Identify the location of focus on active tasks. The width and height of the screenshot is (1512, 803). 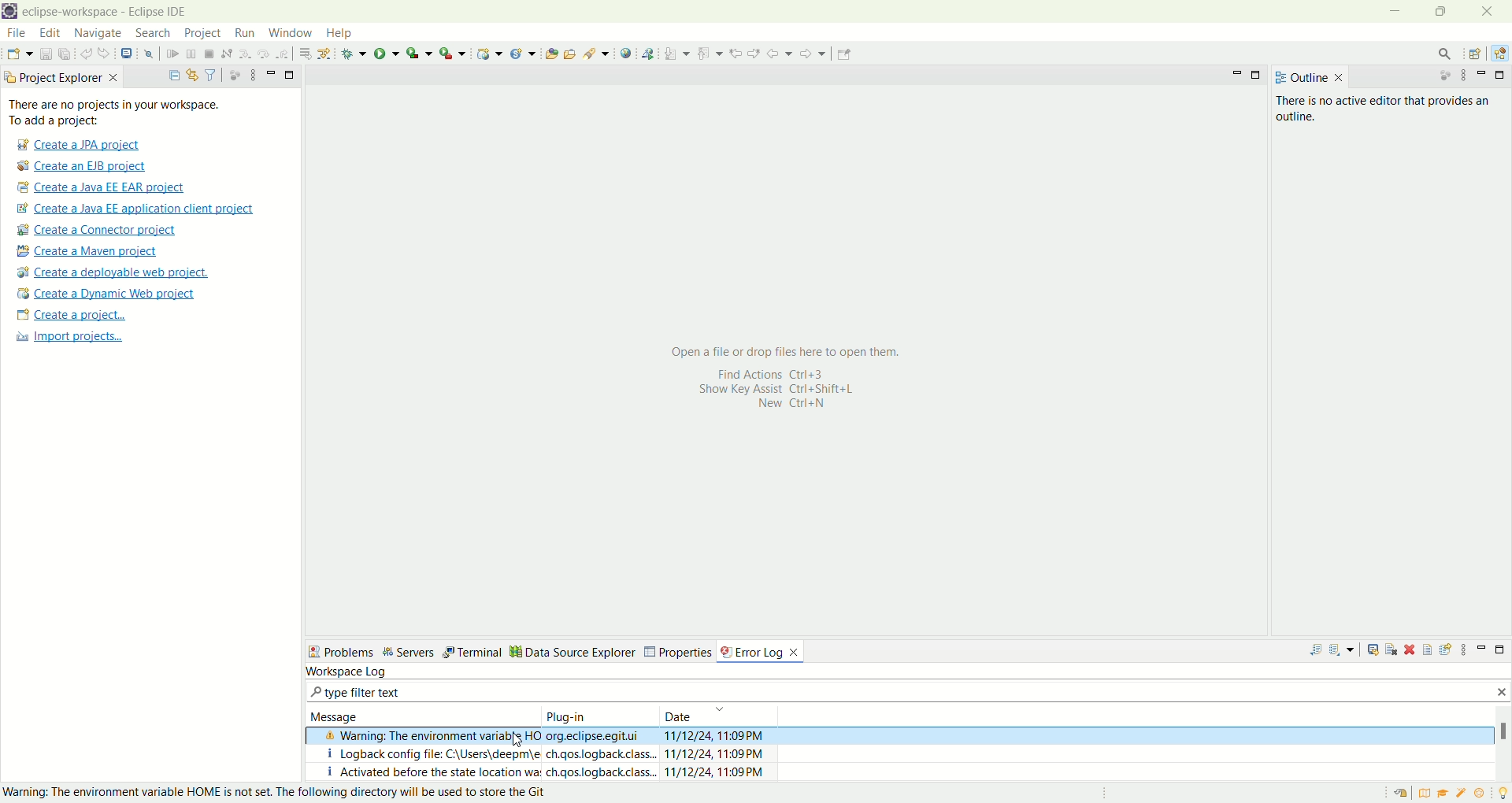
(232, 75).